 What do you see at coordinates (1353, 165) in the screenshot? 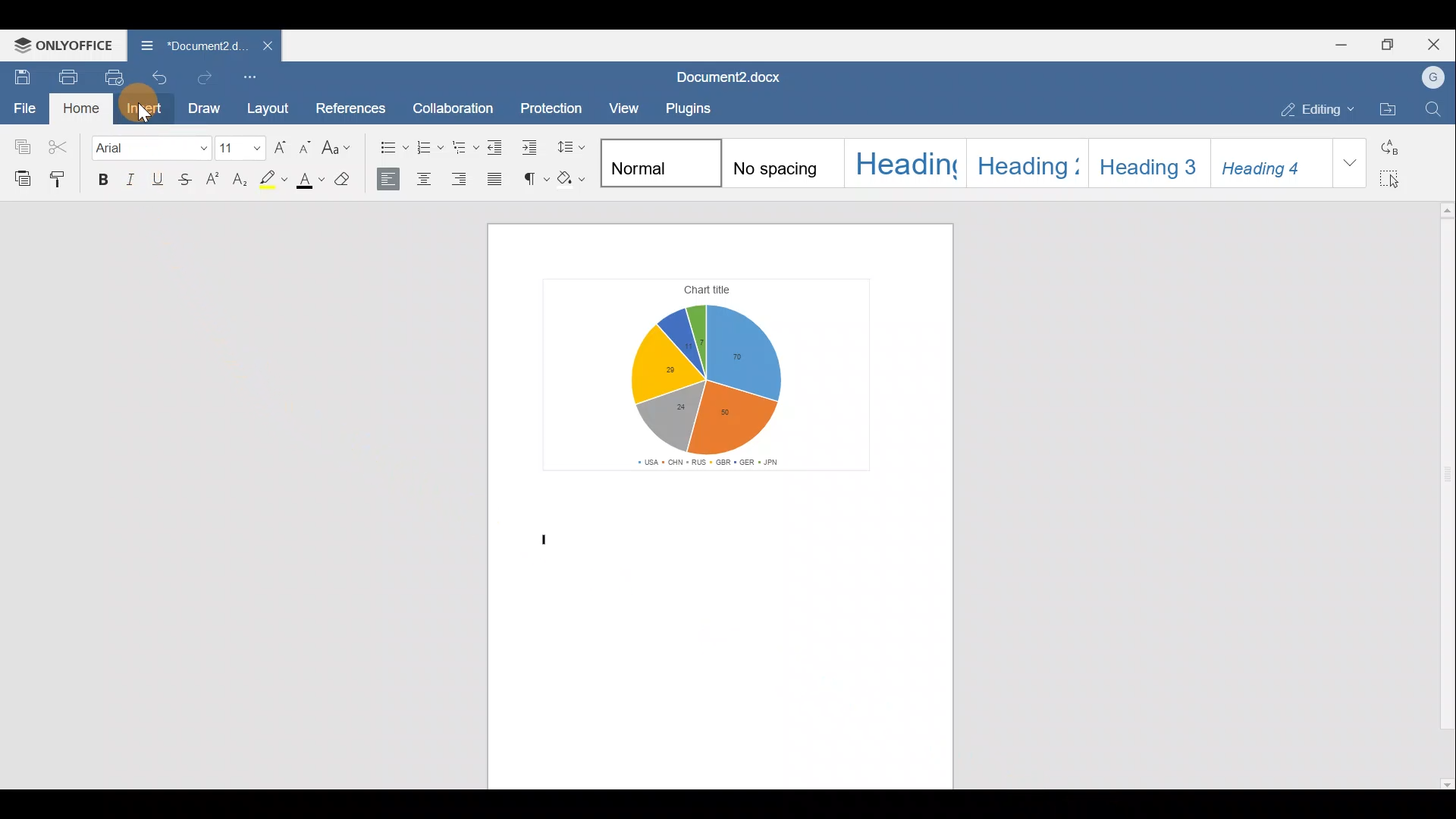
I see `More` at bounding box center [1353, 165].